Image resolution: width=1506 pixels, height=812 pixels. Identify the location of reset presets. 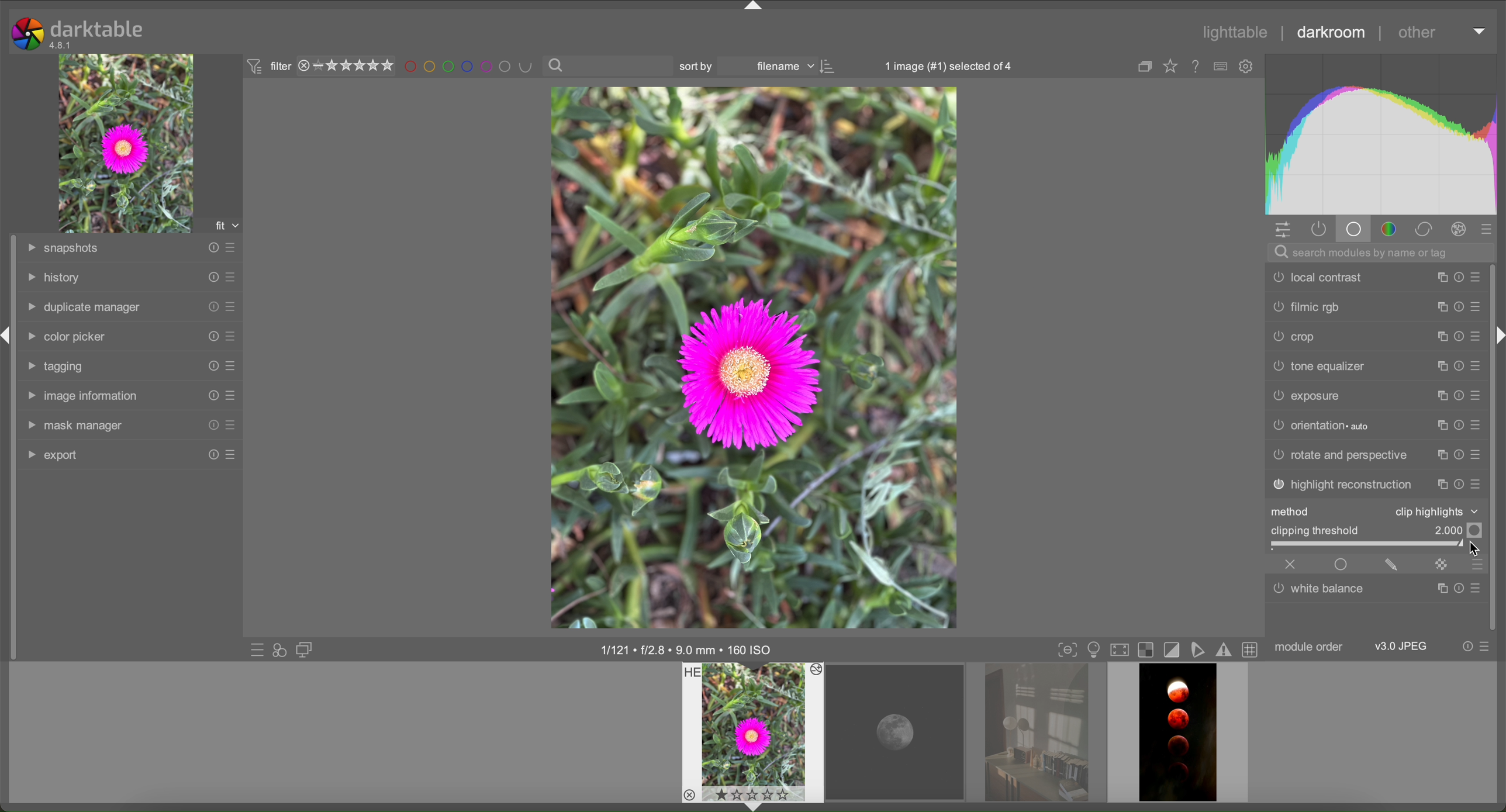
(1456, 457).